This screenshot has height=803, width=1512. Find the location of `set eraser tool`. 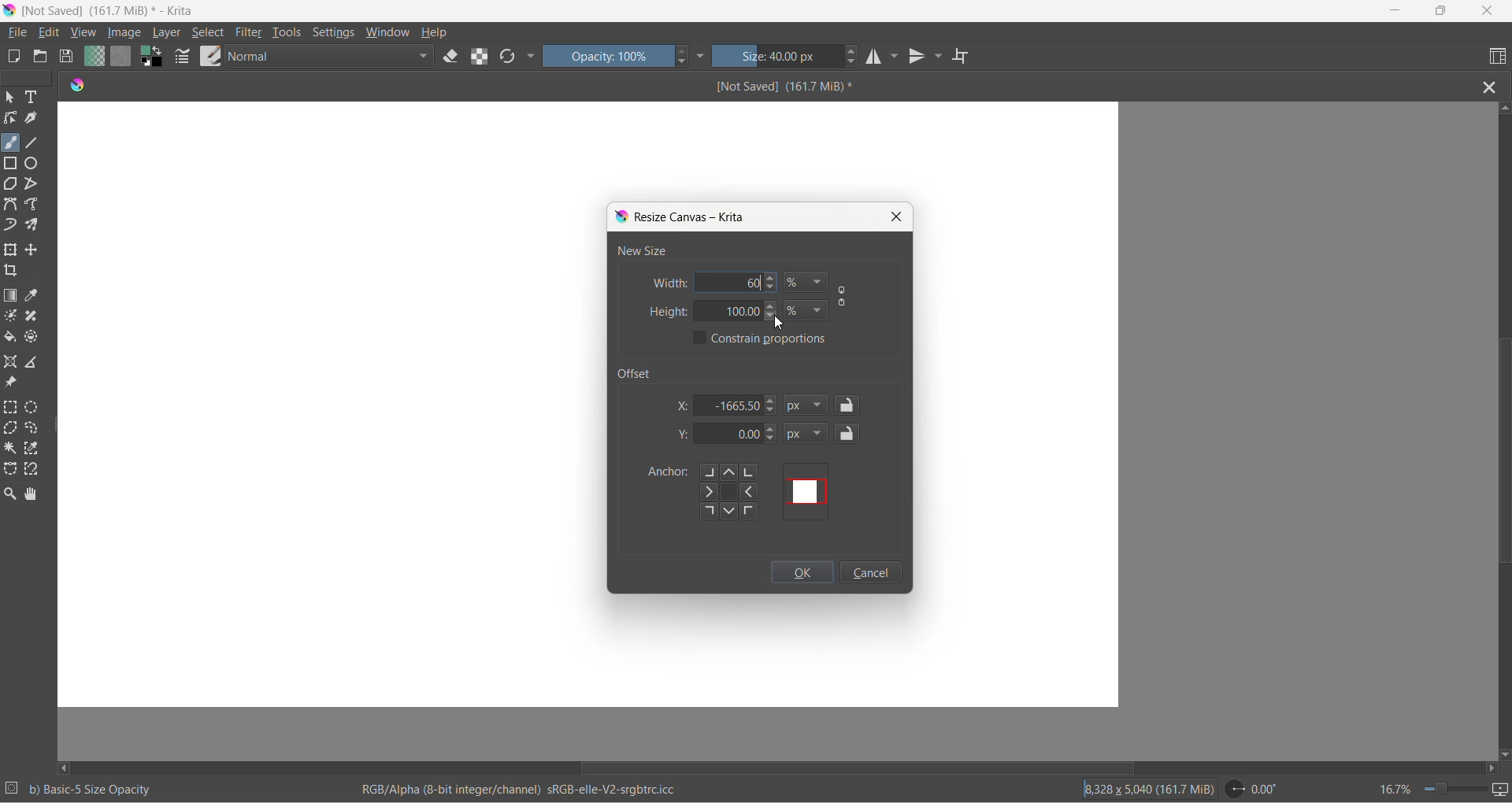

set eraser tool is located at coordinates (451, 56).